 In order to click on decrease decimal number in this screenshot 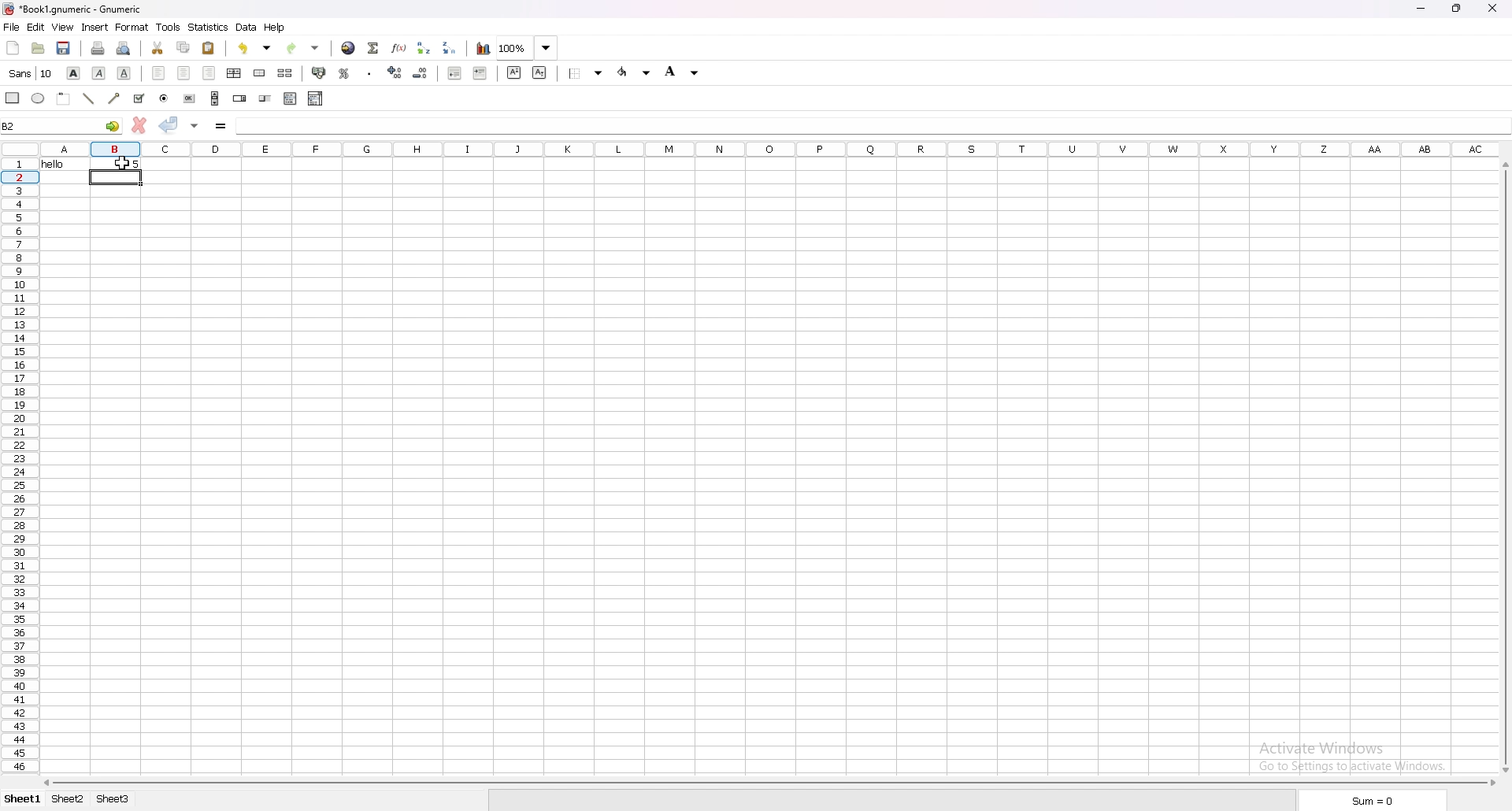, I will do `click(421, 72)`.